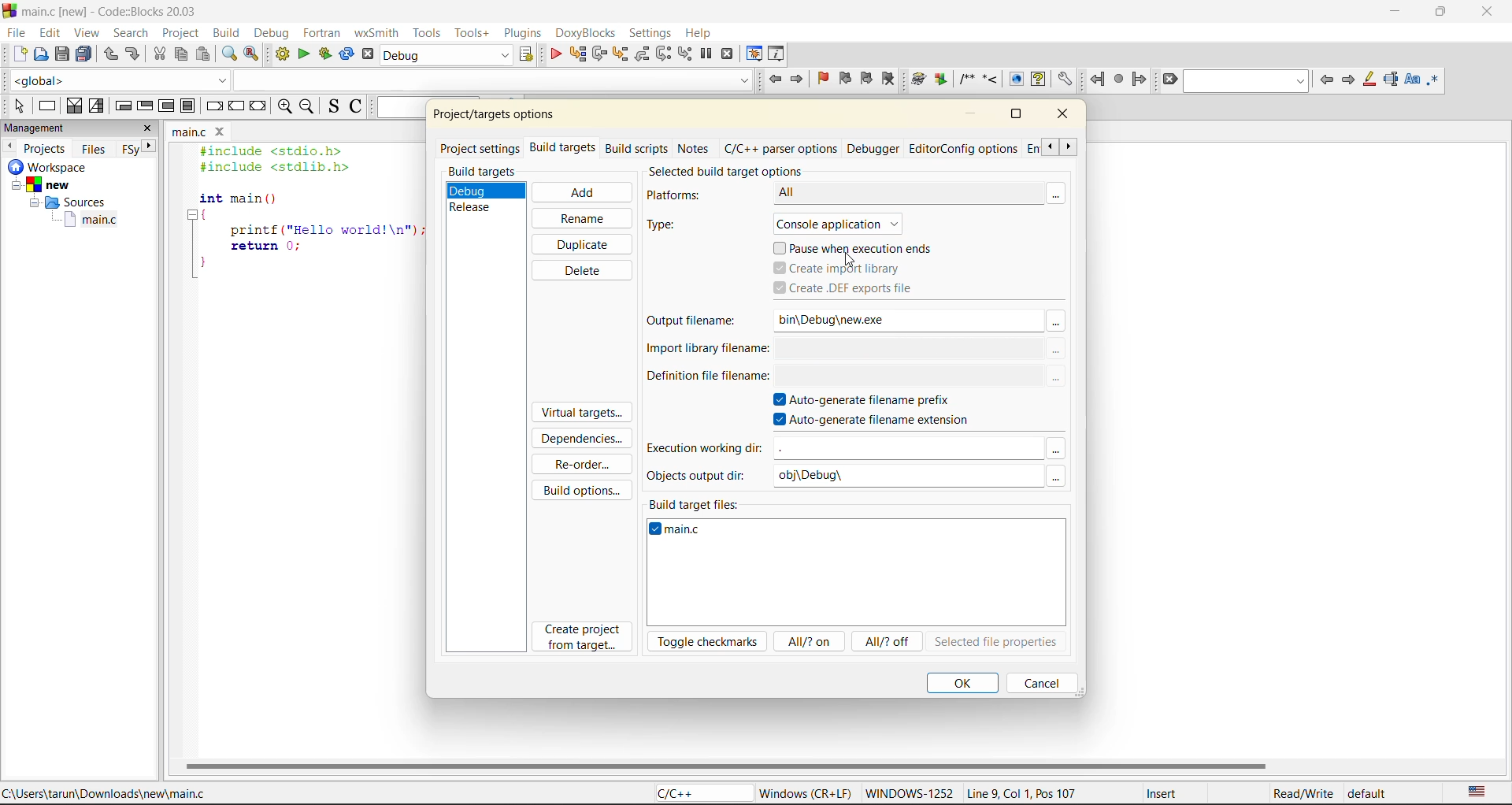 The height and width of the screenshot is (805, 1512). I want to click on More, so click(1055, 450).